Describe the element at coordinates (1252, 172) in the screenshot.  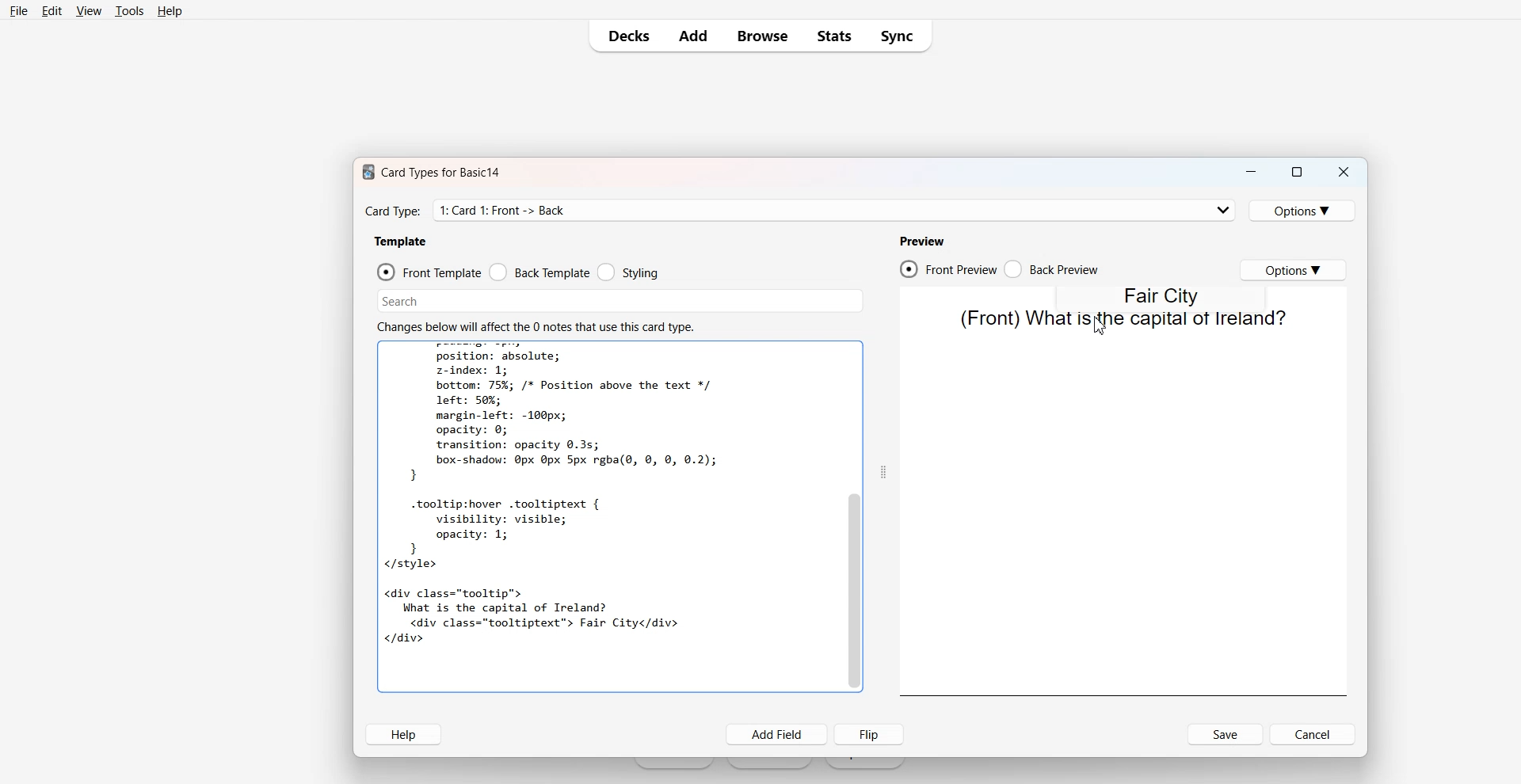
I see `Minimize` at that location.